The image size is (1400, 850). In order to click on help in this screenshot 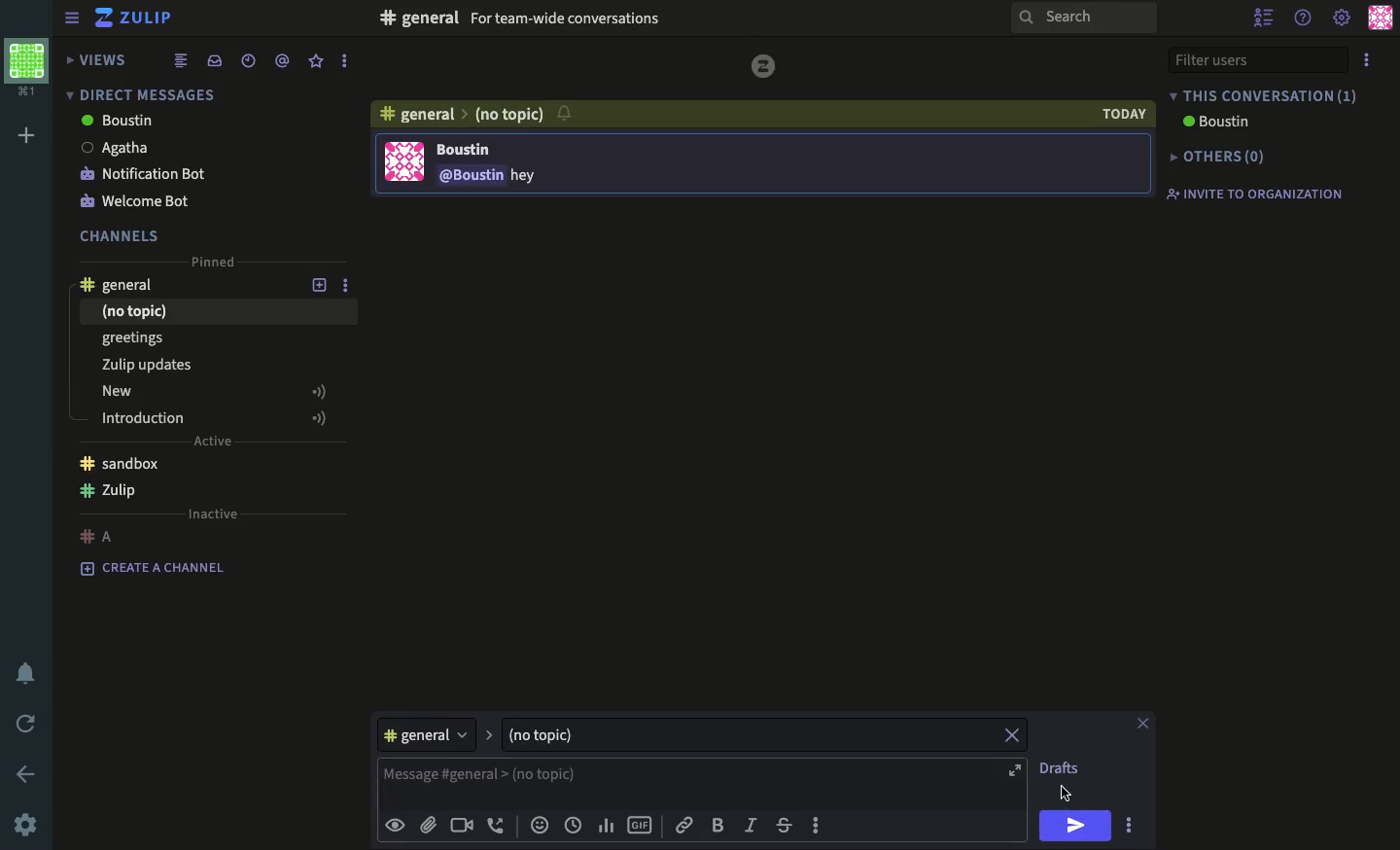, I will do `click(1306, 16)`.